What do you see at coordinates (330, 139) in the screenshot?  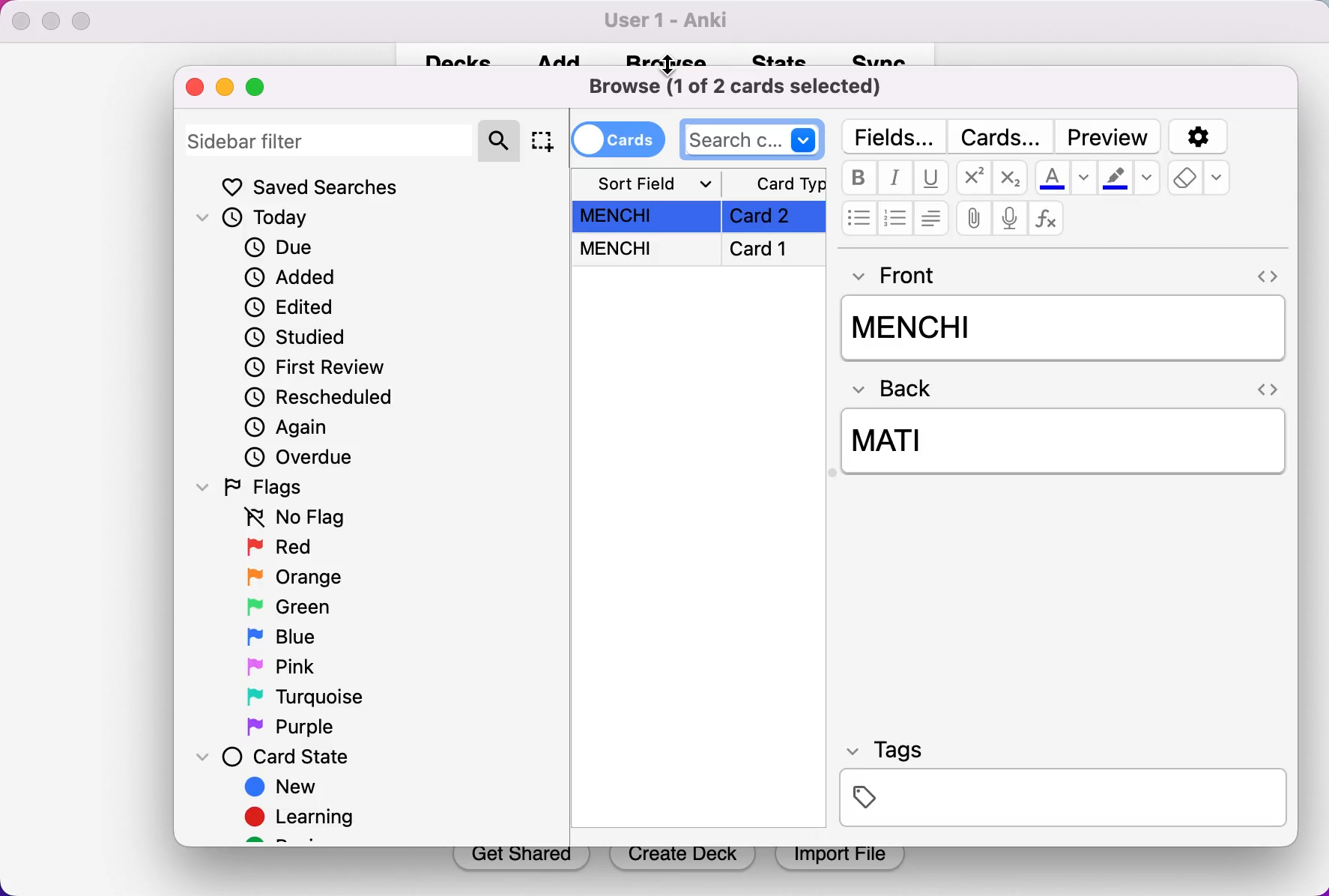 I see `sidebar filter` at bounding box center [330, 139].